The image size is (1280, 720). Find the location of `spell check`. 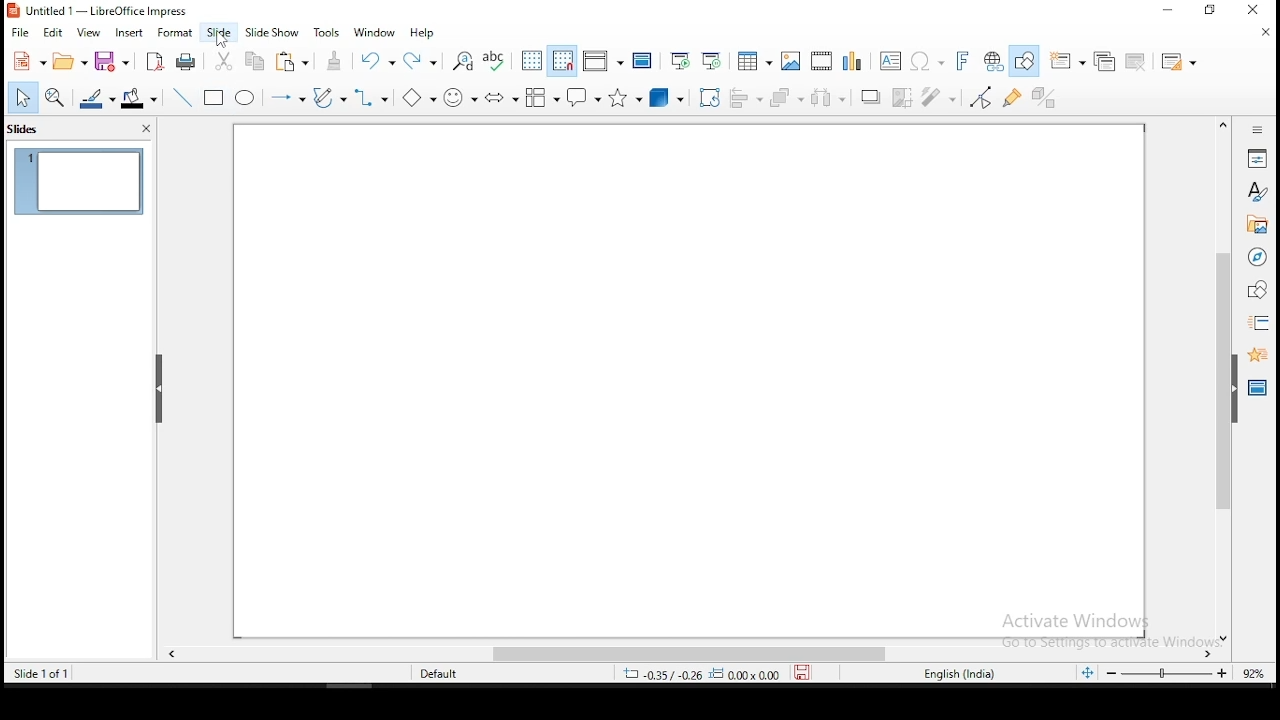

spell check is located at coordinates (497, 61).